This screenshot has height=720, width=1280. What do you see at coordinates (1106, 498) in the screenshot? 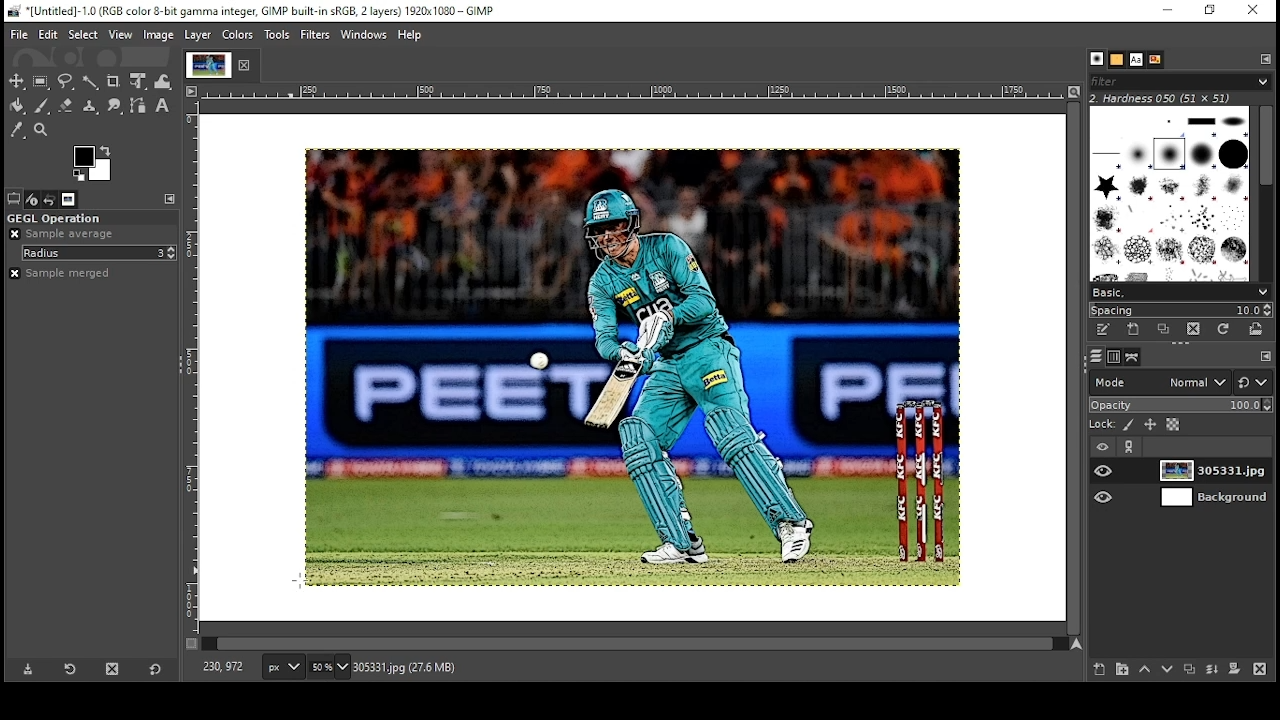
I see `layer on/off` at bounding box center [1106, 498].